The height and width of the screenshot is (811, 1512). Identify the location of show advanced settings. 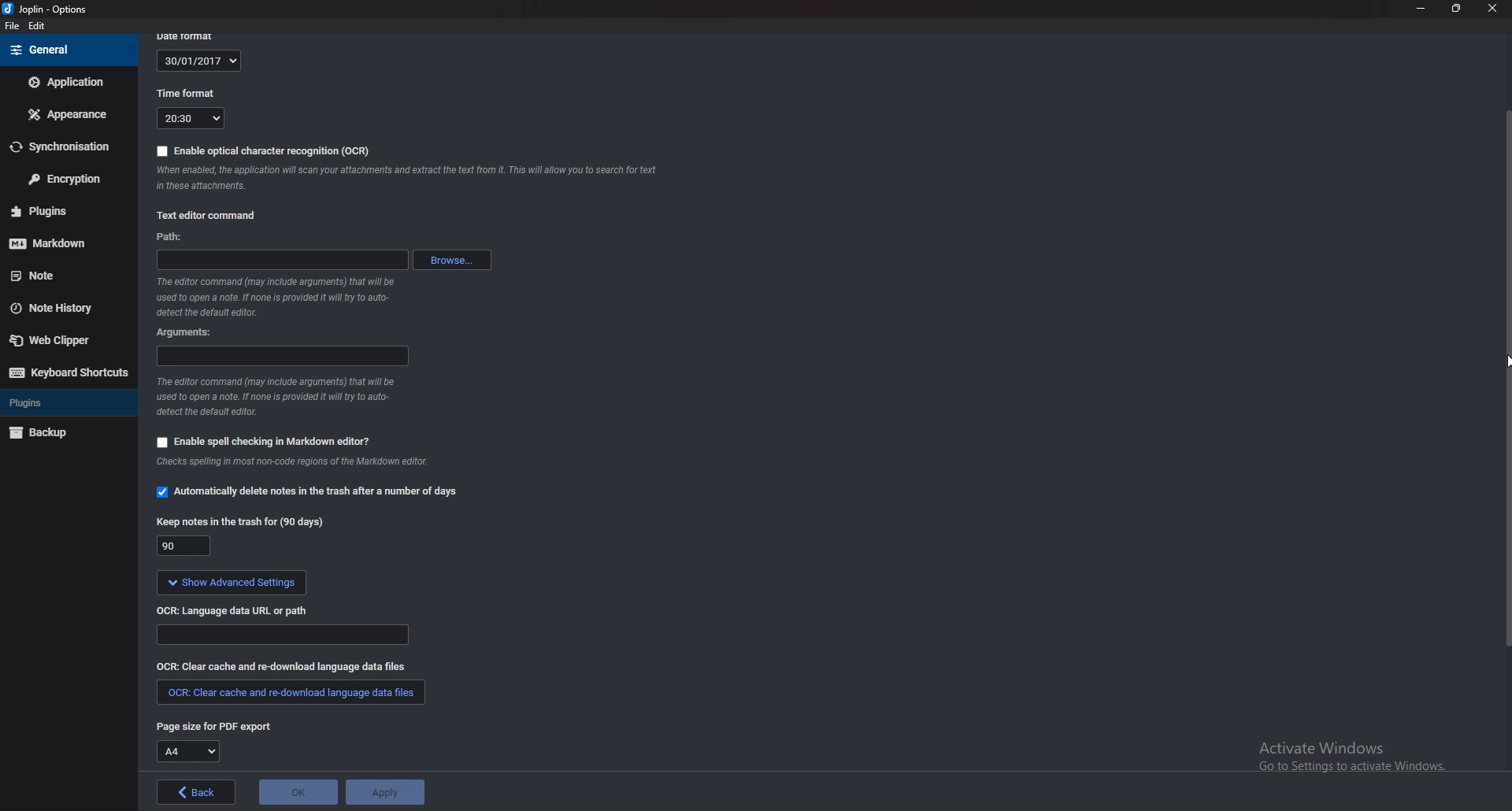
(230, 584).